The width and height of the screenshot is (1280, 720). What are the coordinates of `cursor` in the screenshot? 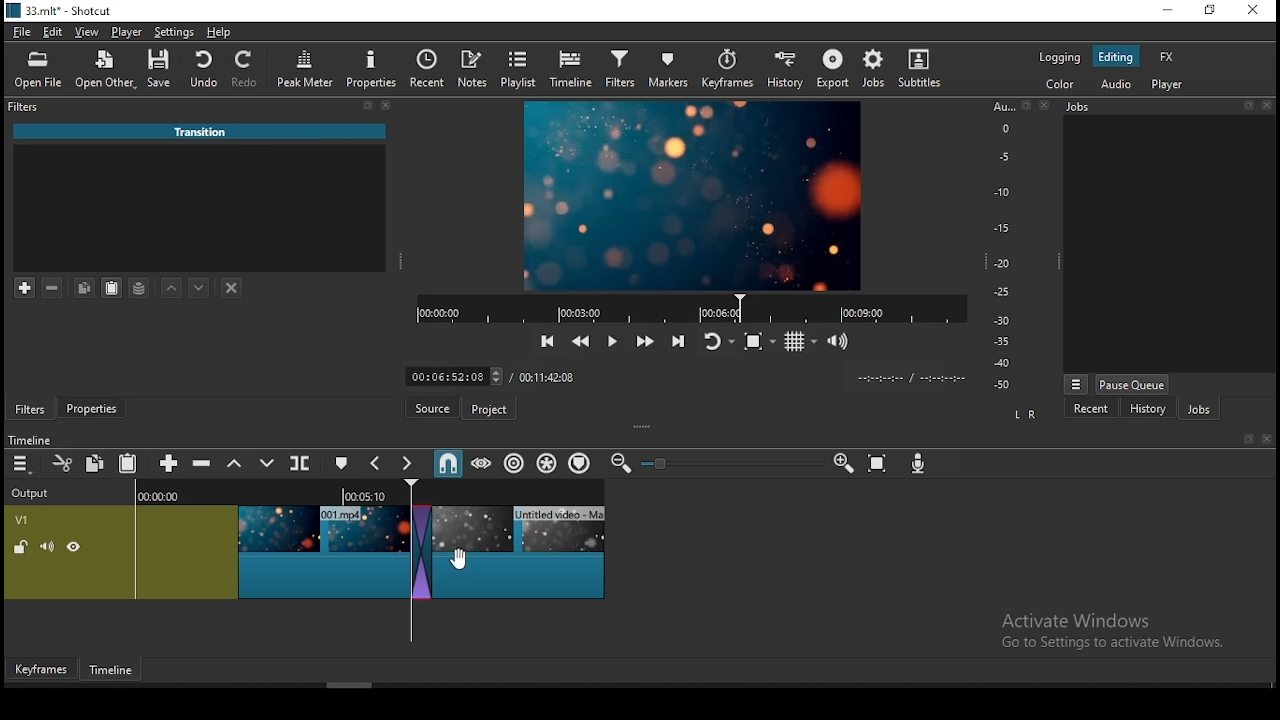 It's located at (467, 565).